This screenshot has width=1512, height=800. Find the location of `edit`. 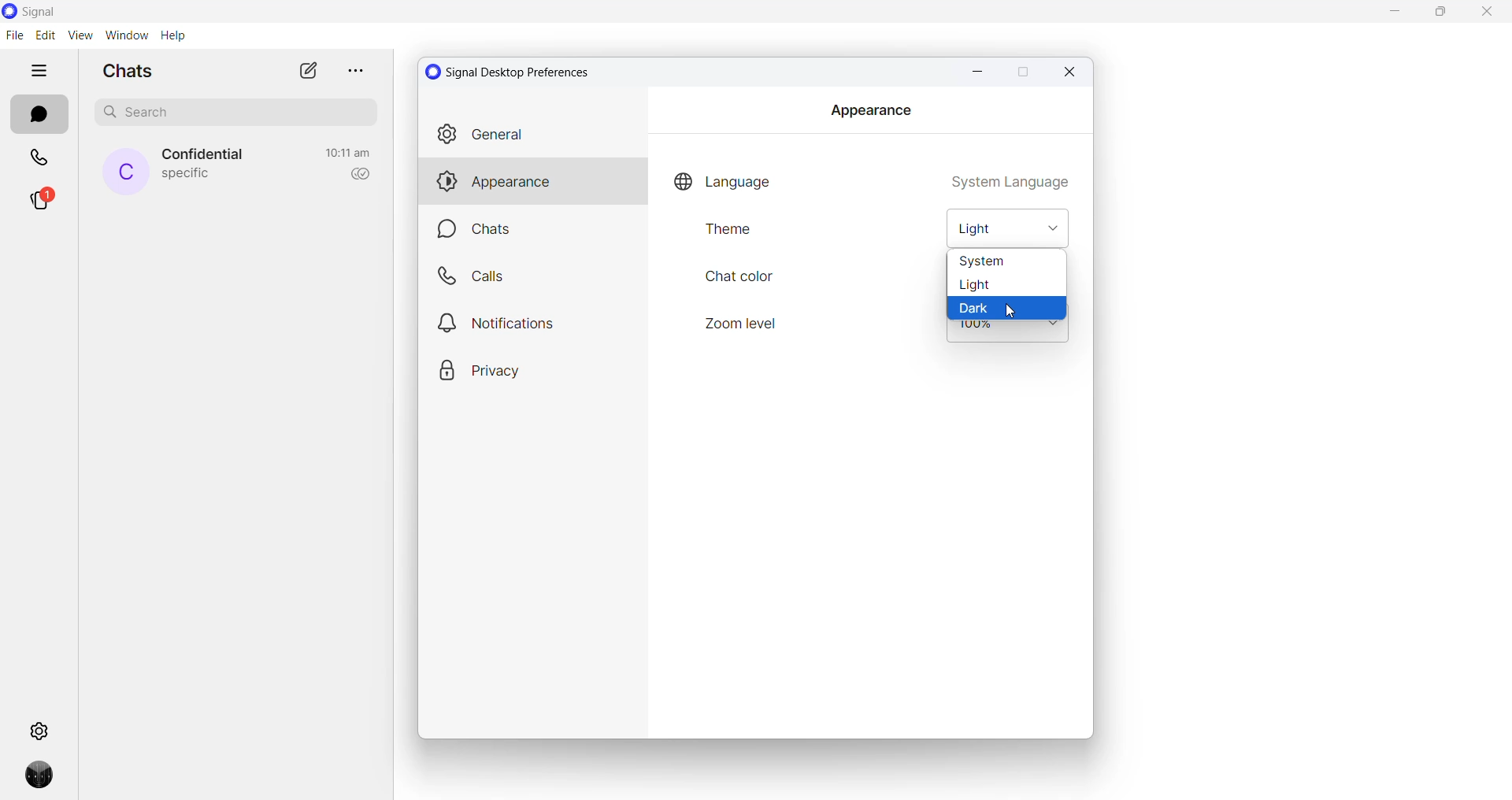

edit is located at coordinates (45, 35).